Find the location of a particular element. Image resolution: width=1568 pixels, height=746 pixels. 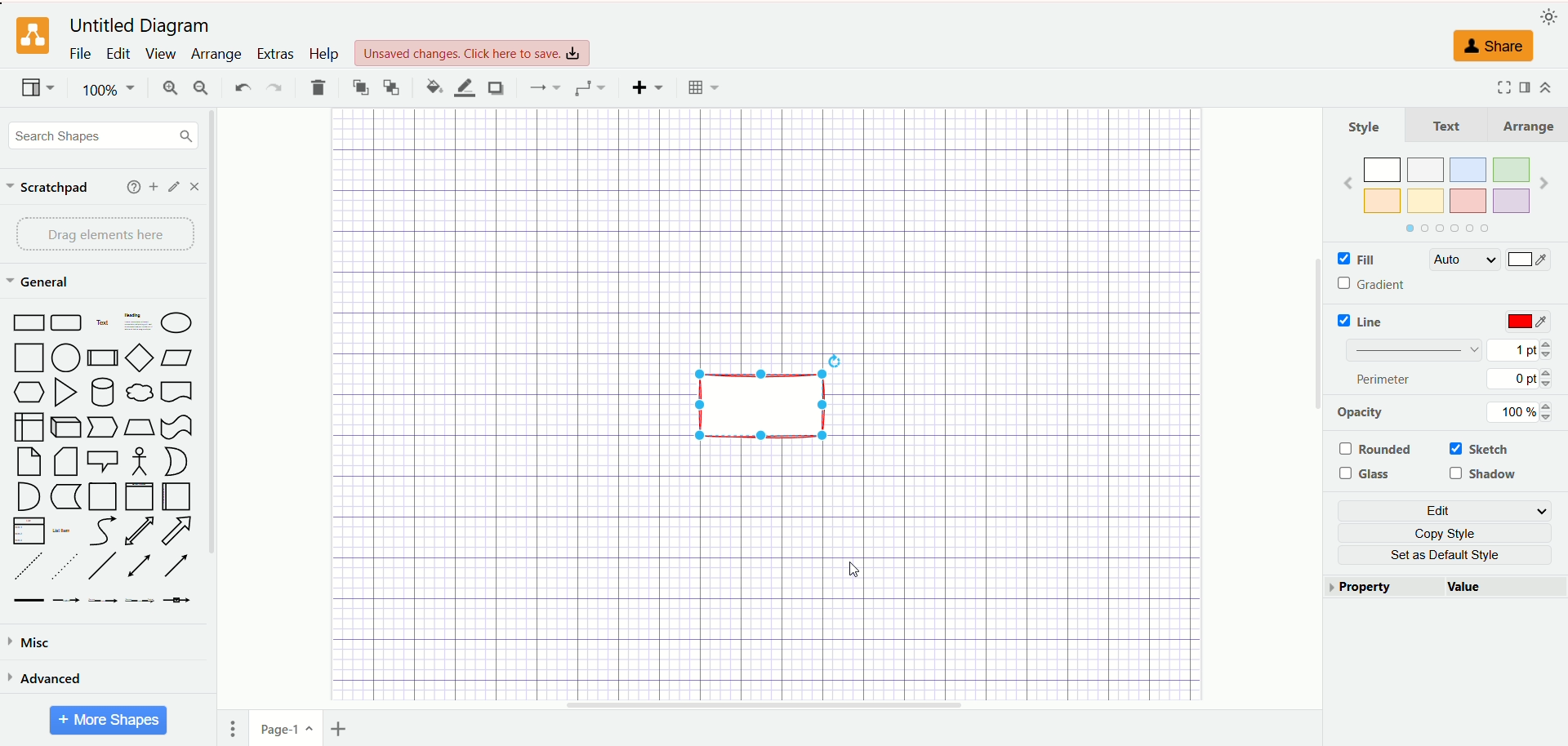

scratchpad is located at coordinates (48, 189).